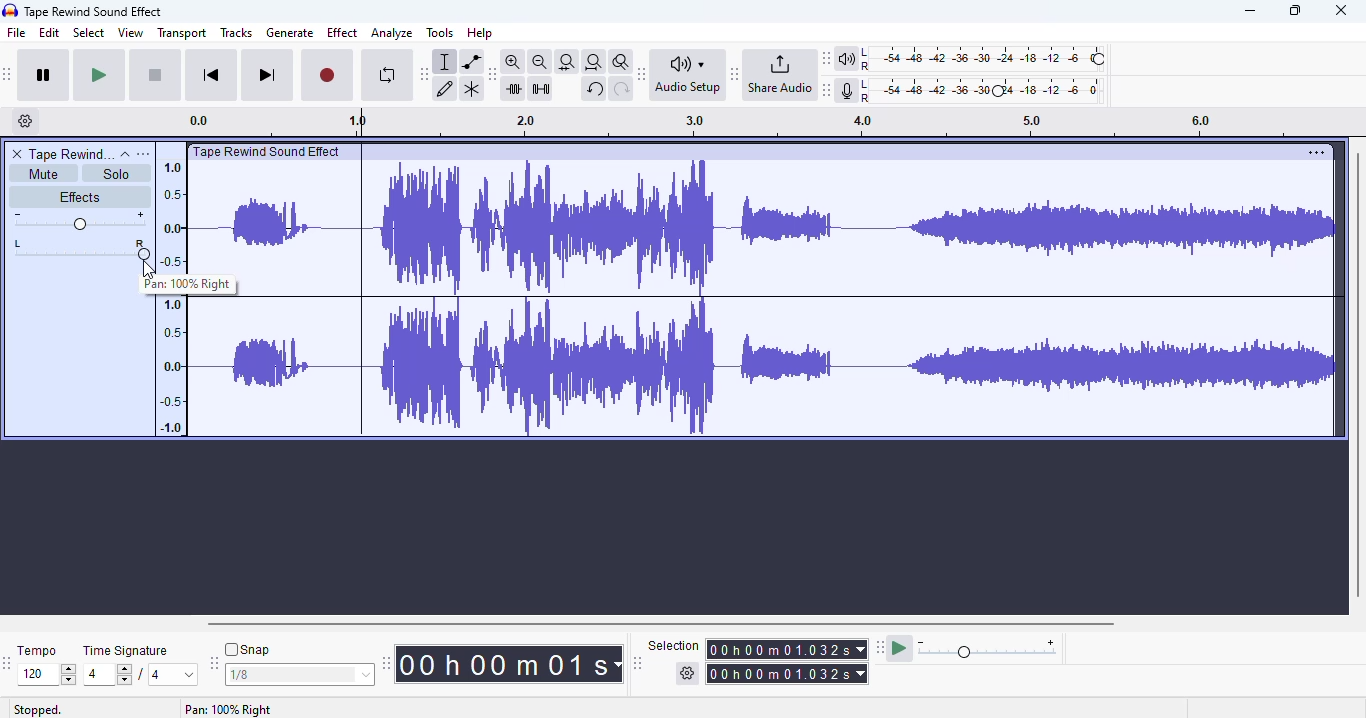  I want to click on close, so click(1340, 10).